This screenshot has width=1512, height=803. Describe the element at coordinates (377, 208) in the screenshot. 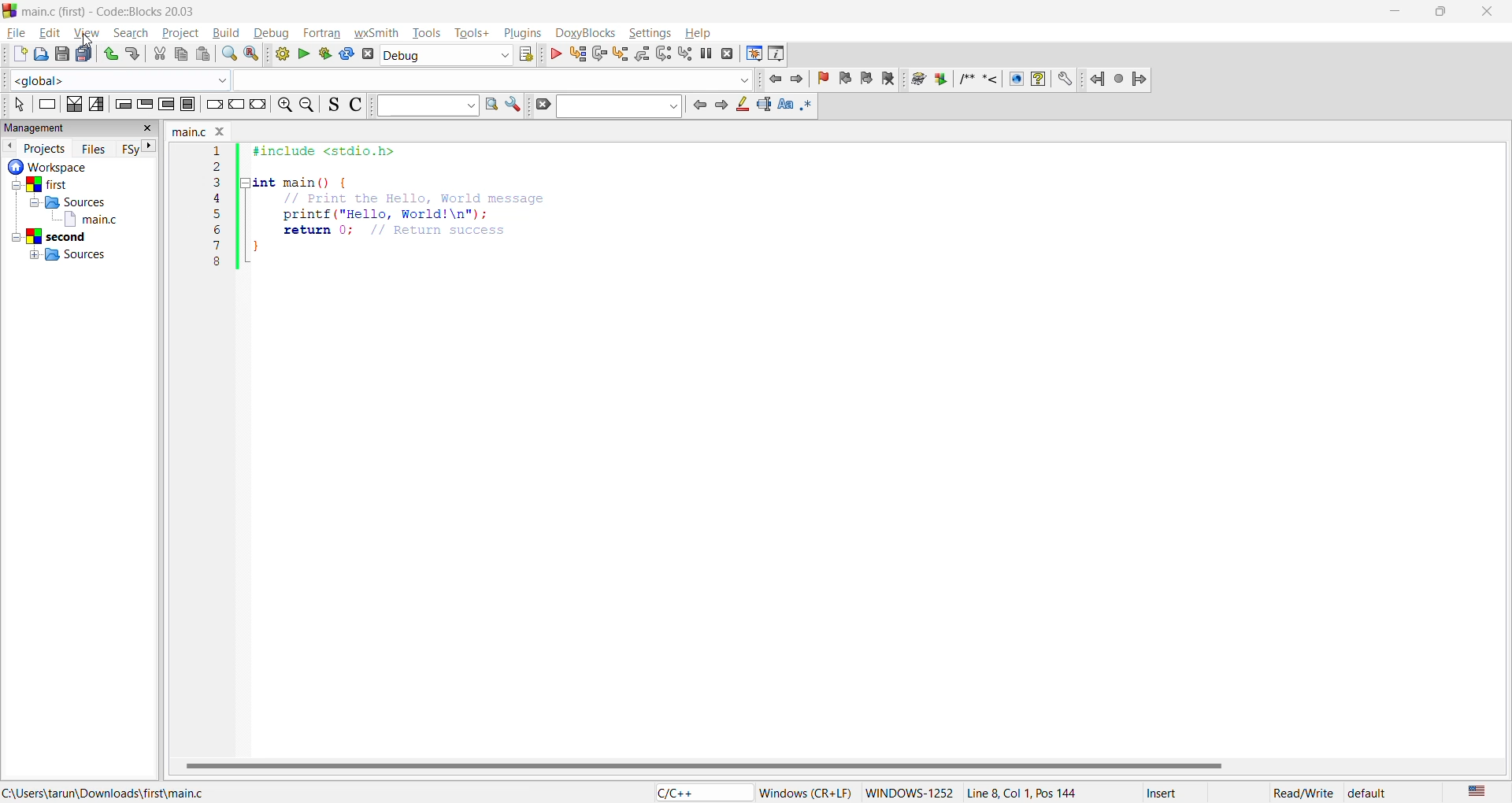

I see `code` at that location.